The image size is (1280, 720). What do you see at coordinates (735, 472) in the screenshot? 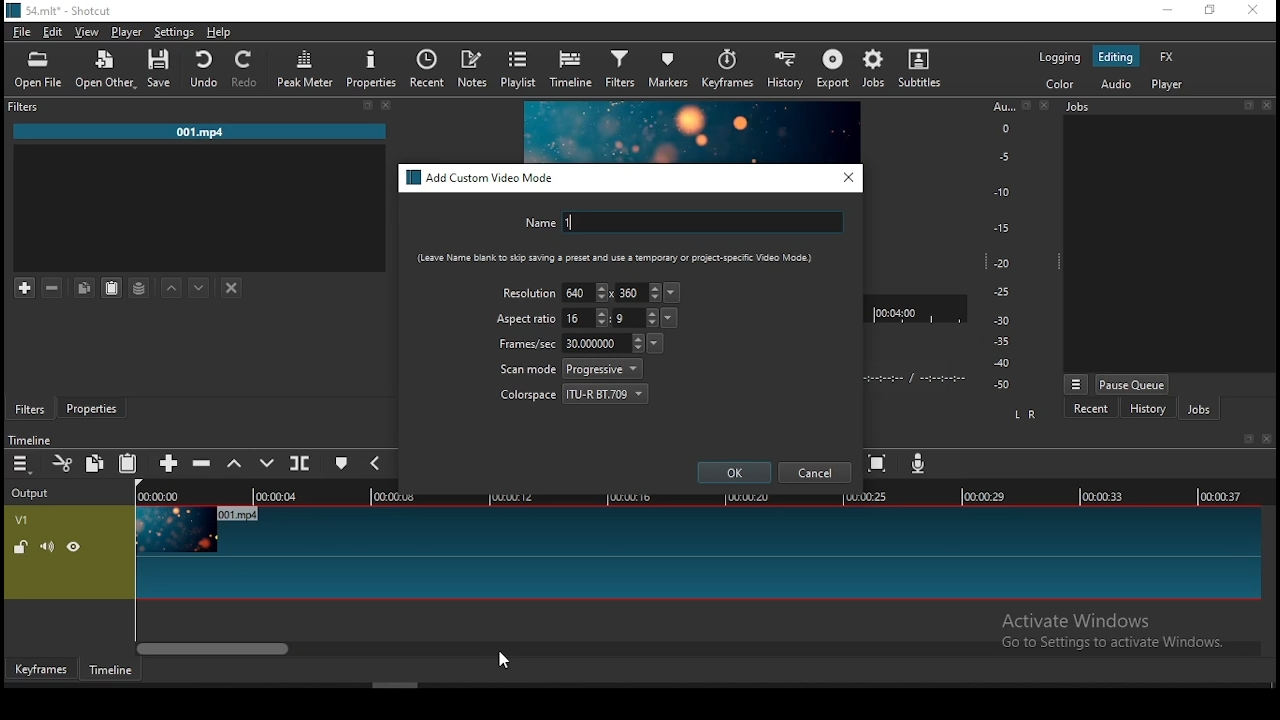
I see `ok` at bounding box center [735, 472].